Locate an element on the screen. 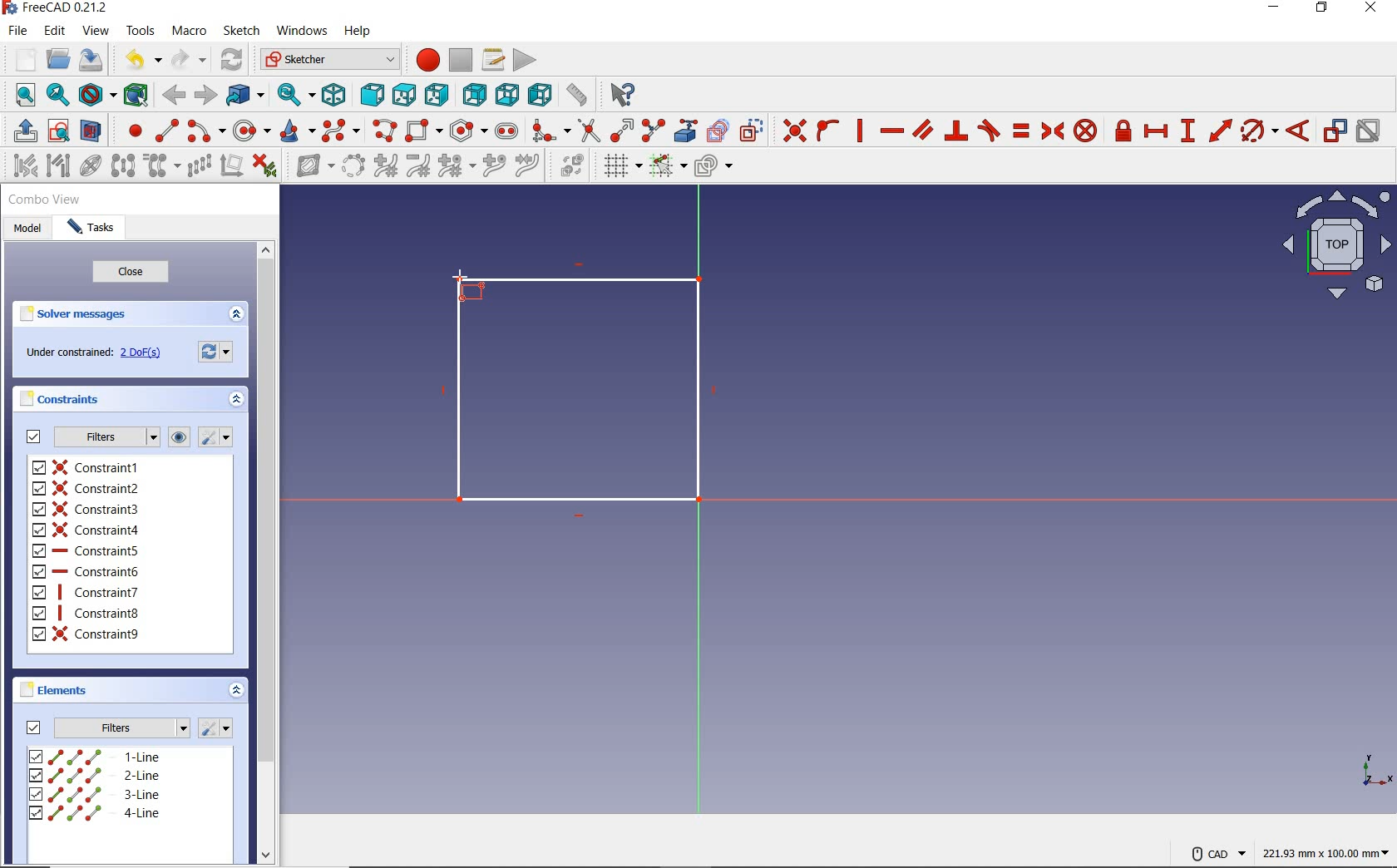 The height and width of the screenshot is (868, 1397). constrain horizontal distance is located at coordinates (1157, 133).